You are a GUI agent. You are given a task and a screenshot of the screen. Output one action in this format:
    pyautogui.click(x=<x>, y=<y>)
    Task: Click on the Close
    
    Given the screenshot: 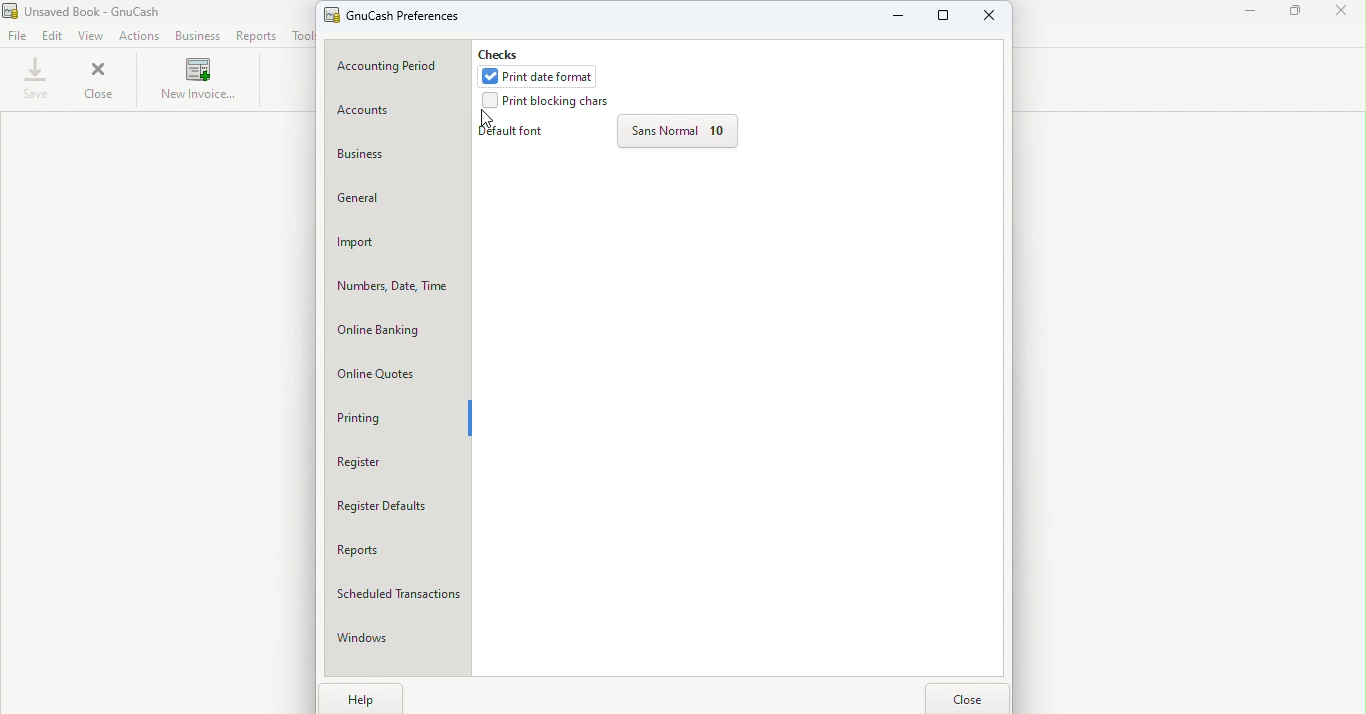 What is the action you would take?
    pyautogui.click(x=1346, y=16)
    